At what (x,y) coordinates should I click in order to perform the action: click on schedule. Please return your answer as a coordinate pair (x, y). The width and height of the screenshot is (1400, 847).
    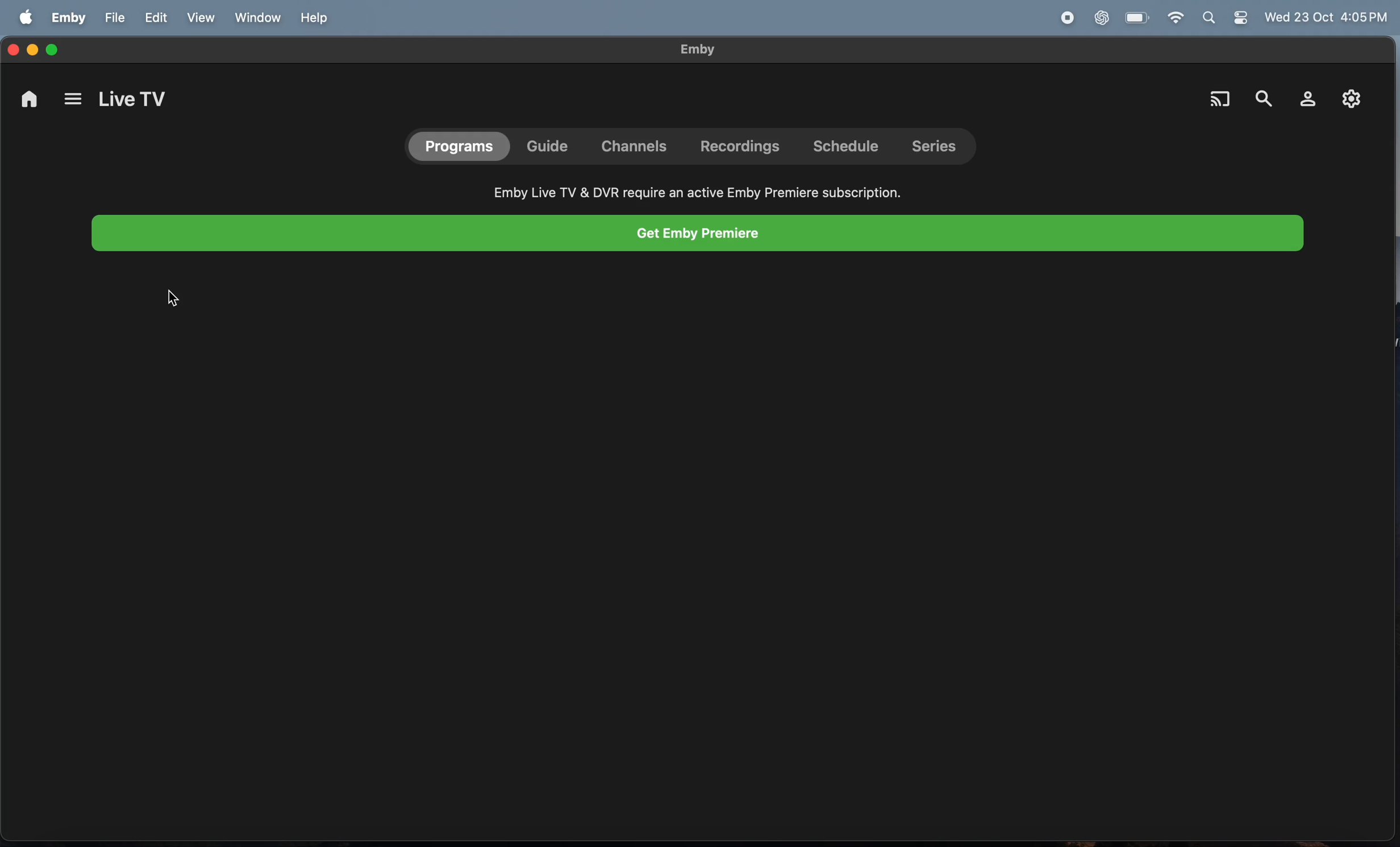
    Looking at the image, I should click on (850, 145).